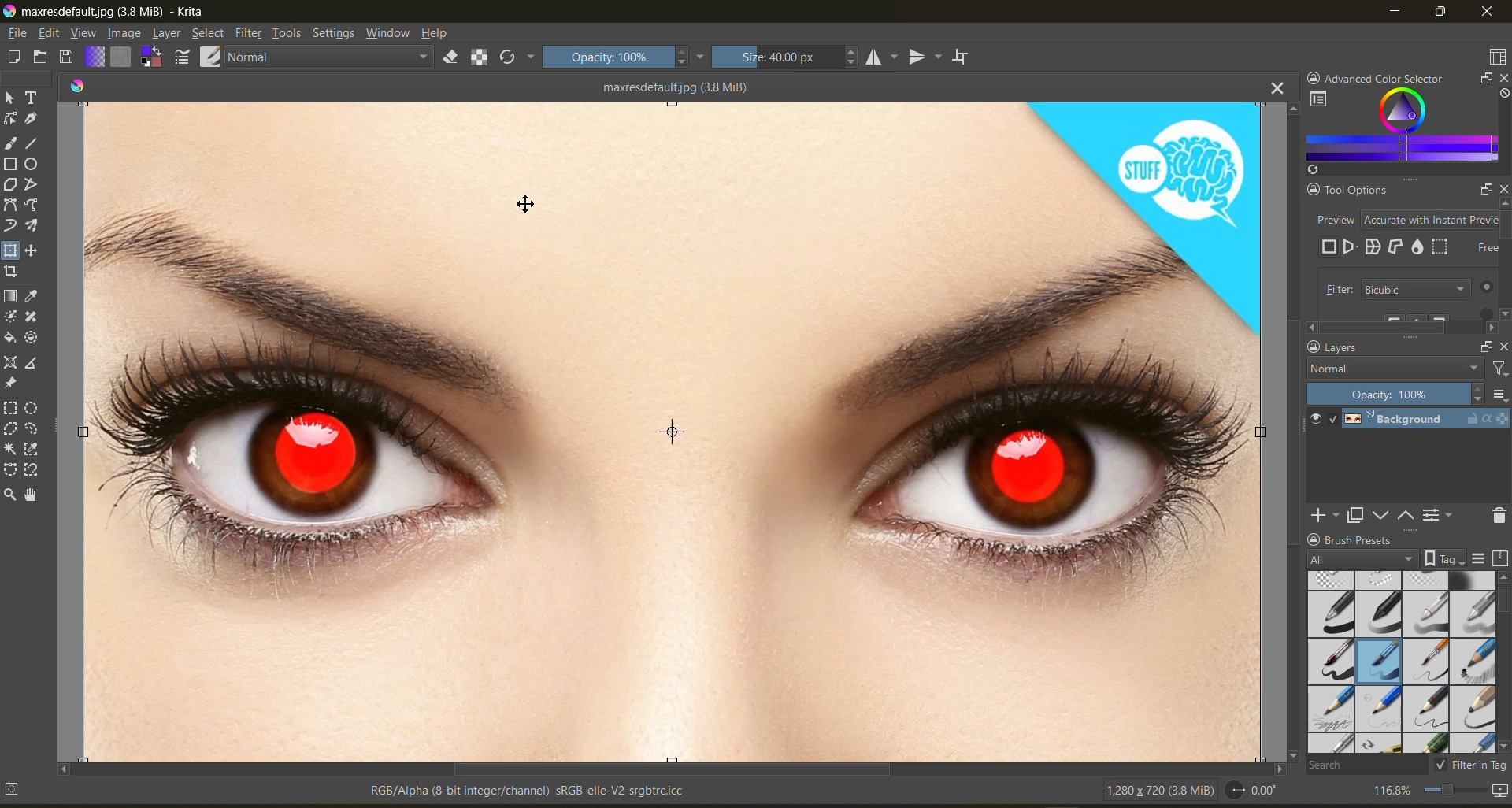 The image size is (1512, 808). Describe the element at coordinates (1424, 422) in the screenshot. I see `layer` at that location.